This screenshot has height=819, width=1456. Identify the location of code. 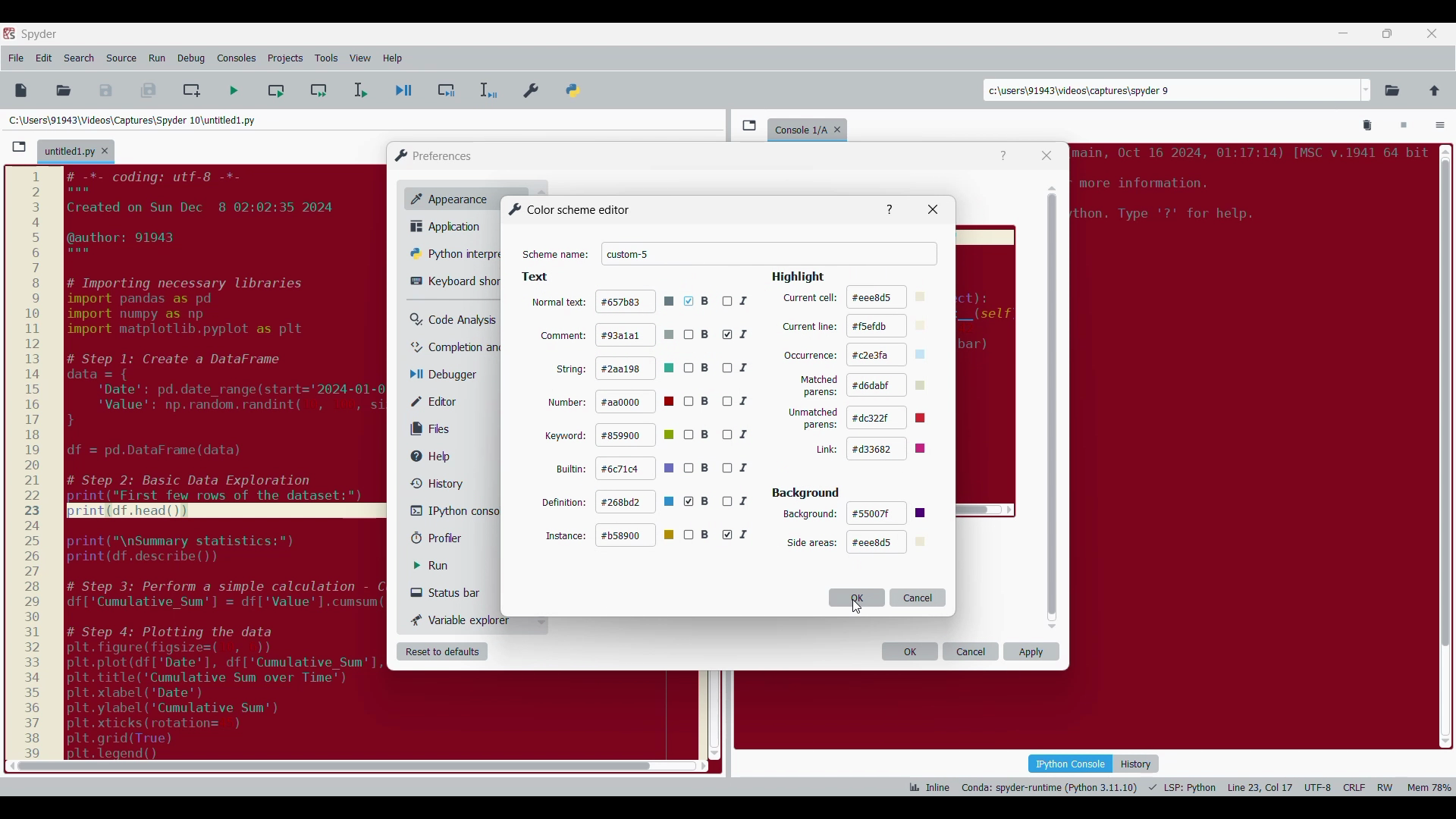
(1247, 190).